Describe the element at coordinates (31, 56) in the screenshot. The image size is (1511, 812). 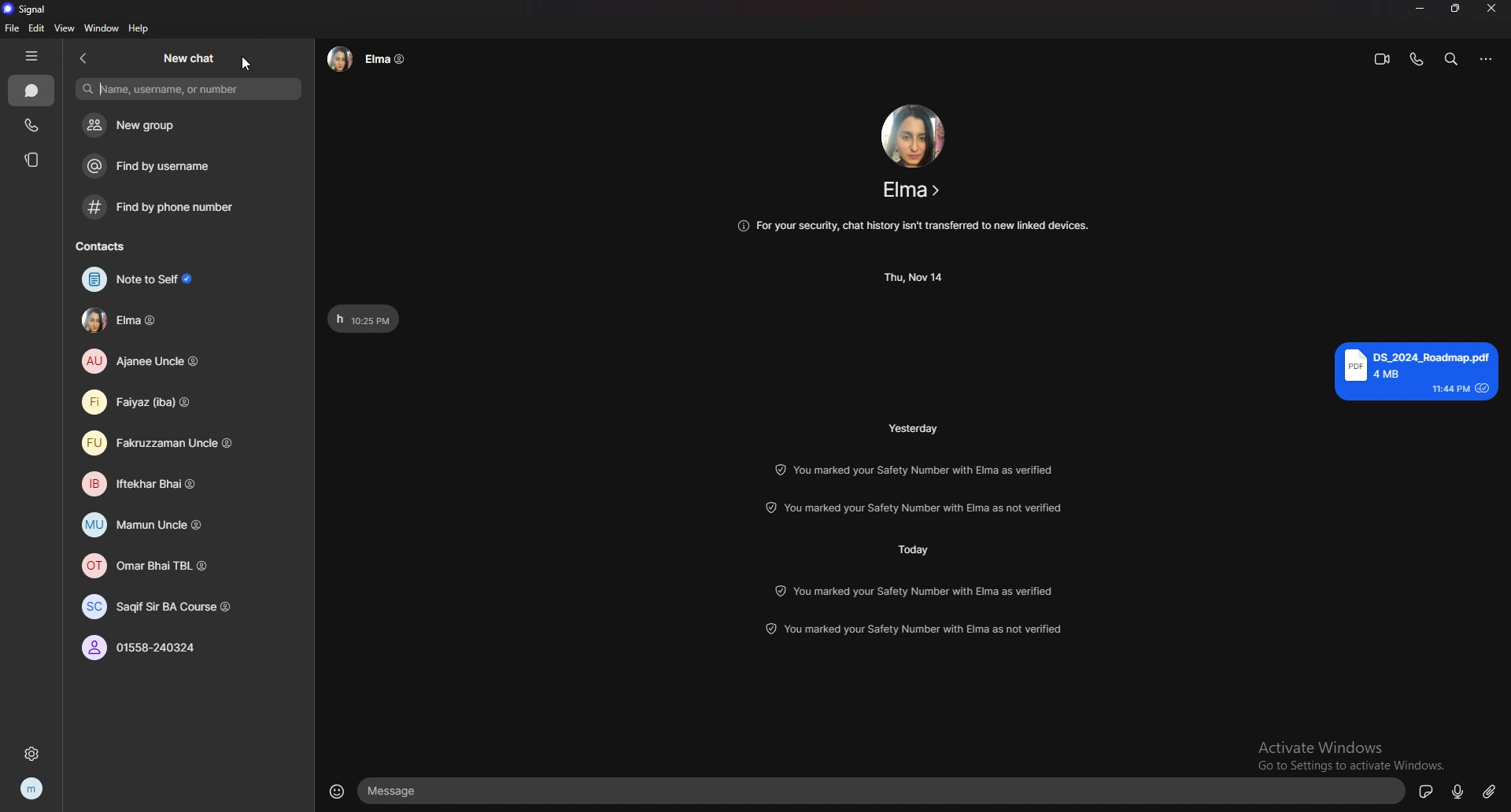
I see `hide tab` at that location.